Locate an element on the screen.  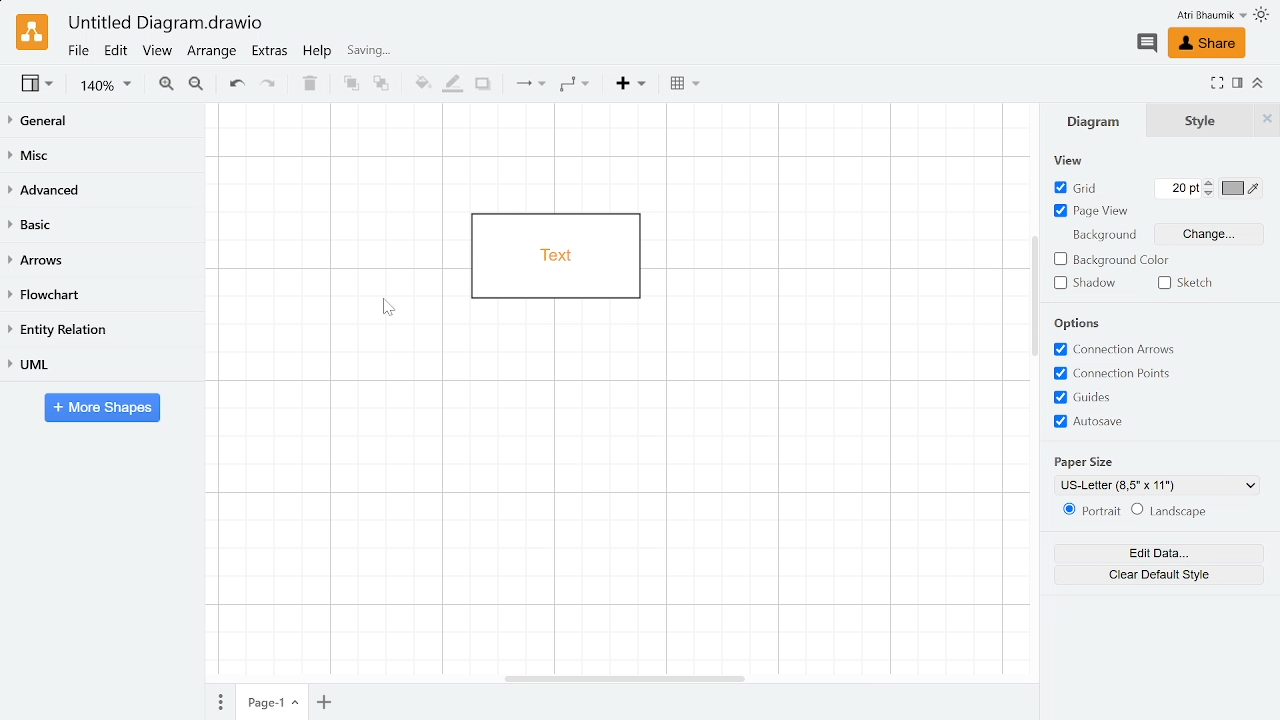
Zoom in is located at coordinates (166, 86).